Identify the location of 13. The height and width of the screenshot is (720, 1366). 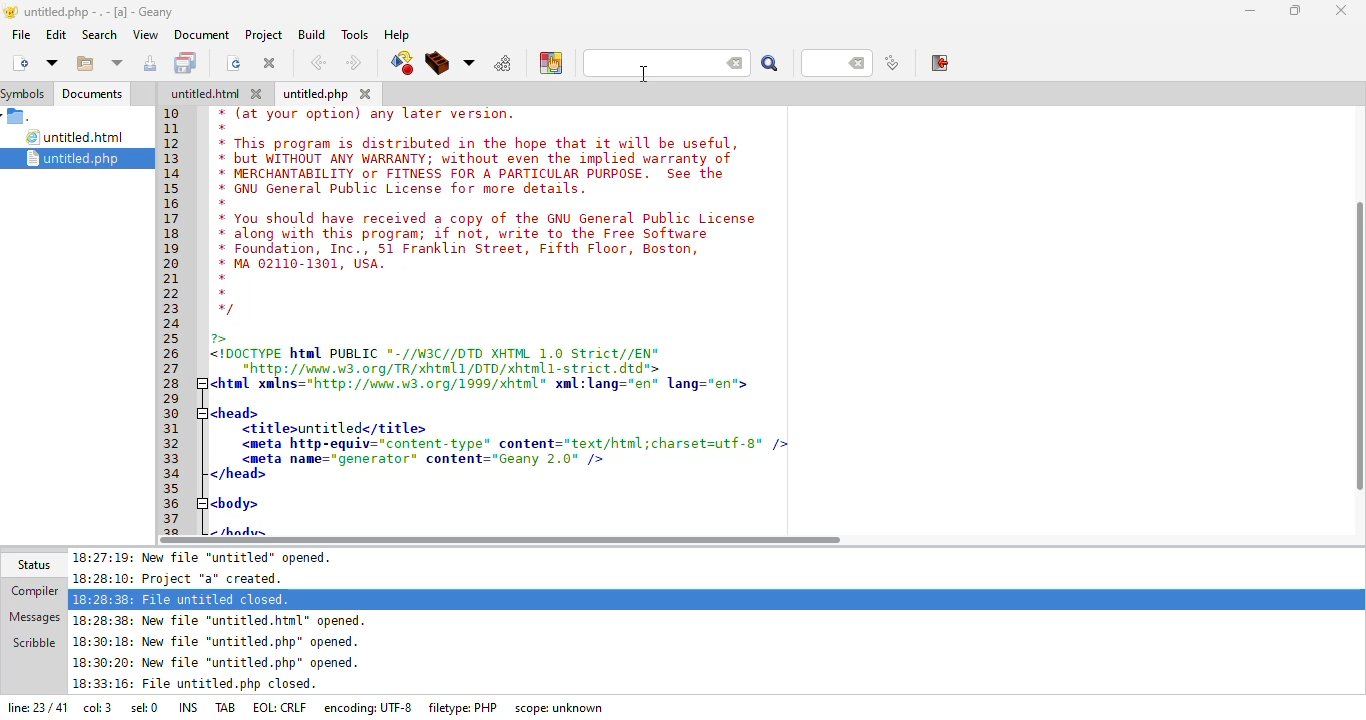
(172, 158).